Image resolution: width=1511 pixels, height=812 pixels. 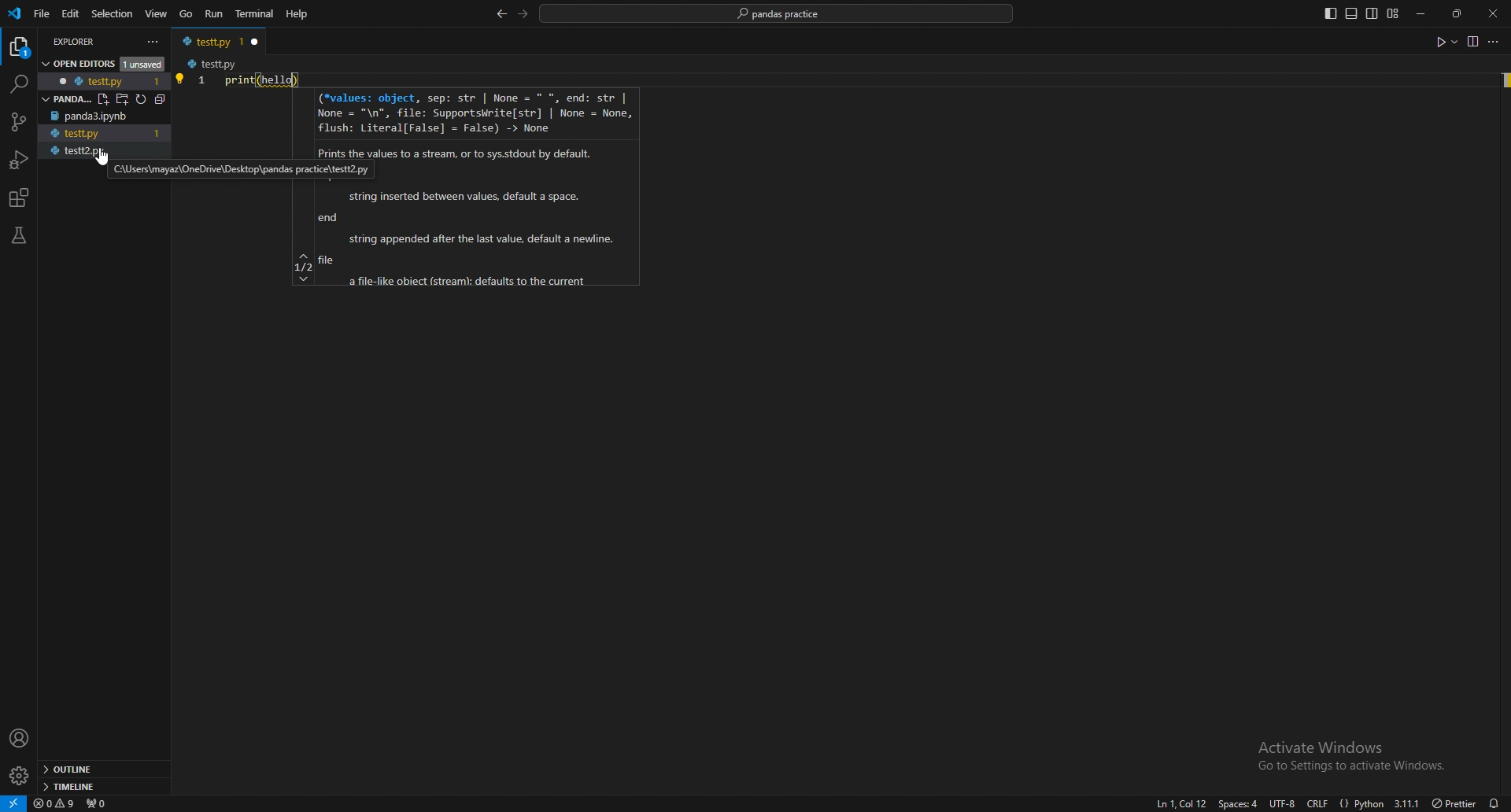 What do you see at coordinates (20, 198) in the screenshot?
I see `extensions` at bounding box center [20, 198].